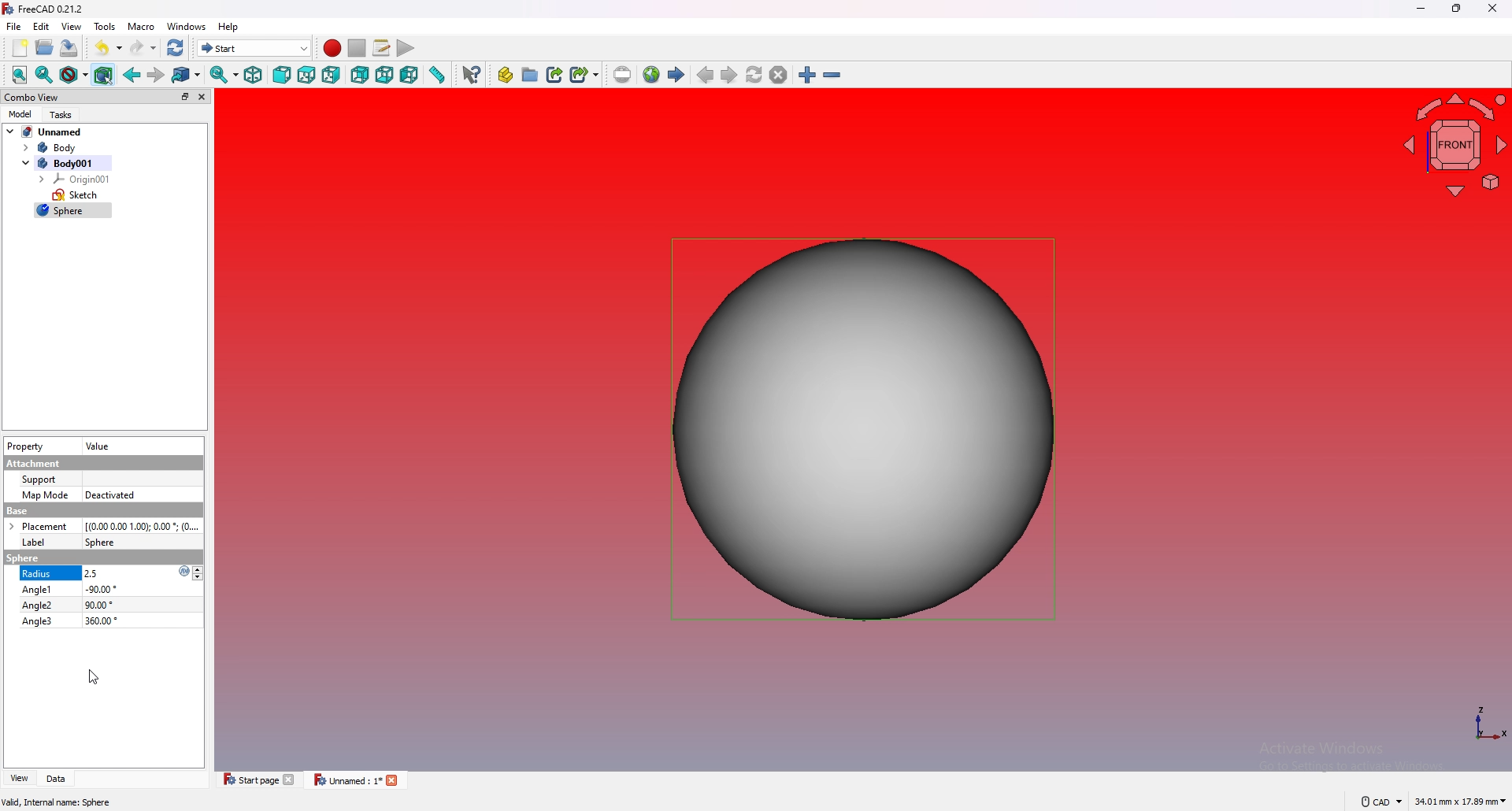 Image resolution: width=1512 pixels, height=811 pixels. I want to click on property, so click(27, 446).